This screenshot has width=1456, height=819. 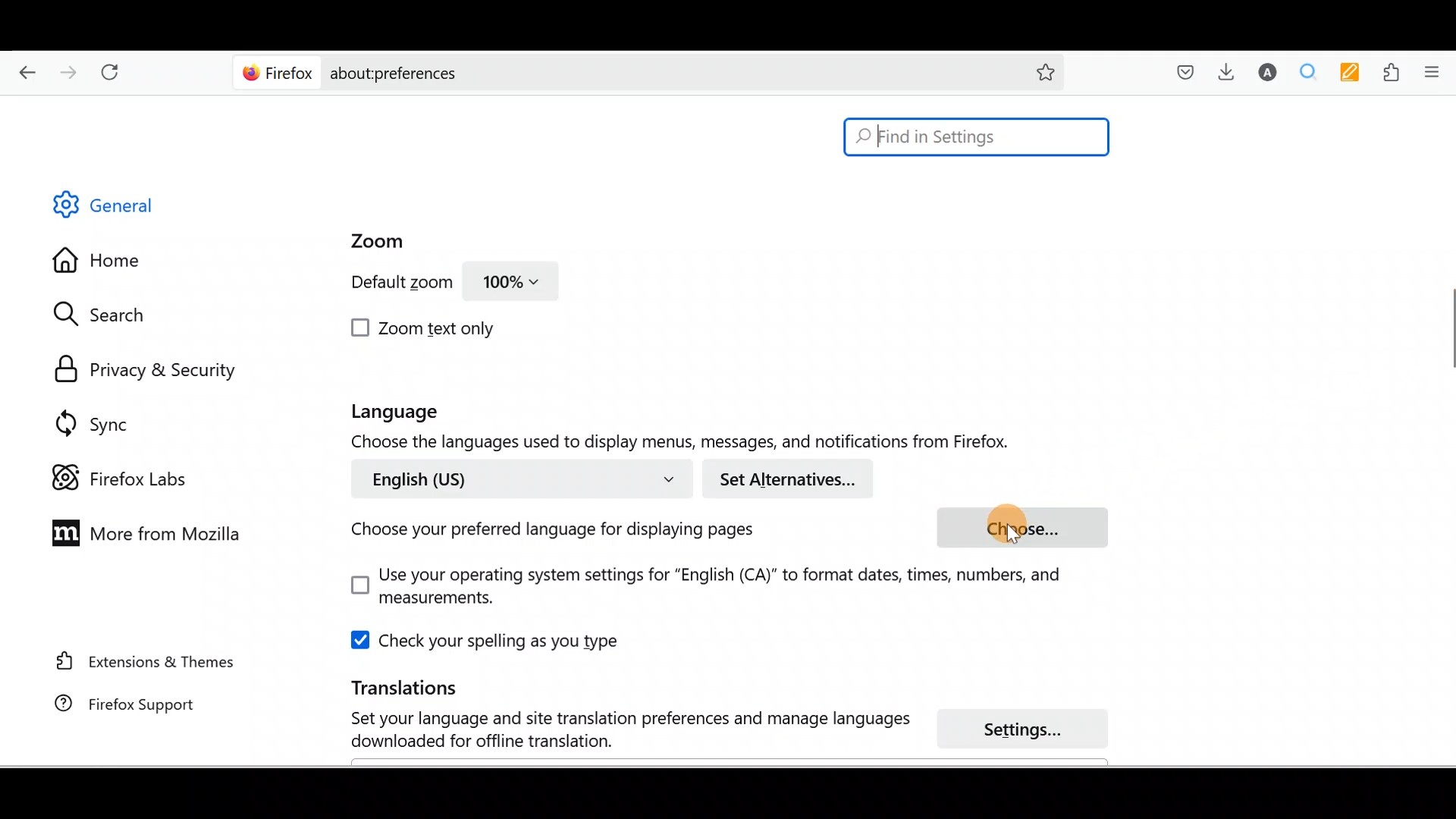 What do you see at coordinates (152, 371) in the screenshot?
I see `Privacy & security` at bounding box center [152, 371].